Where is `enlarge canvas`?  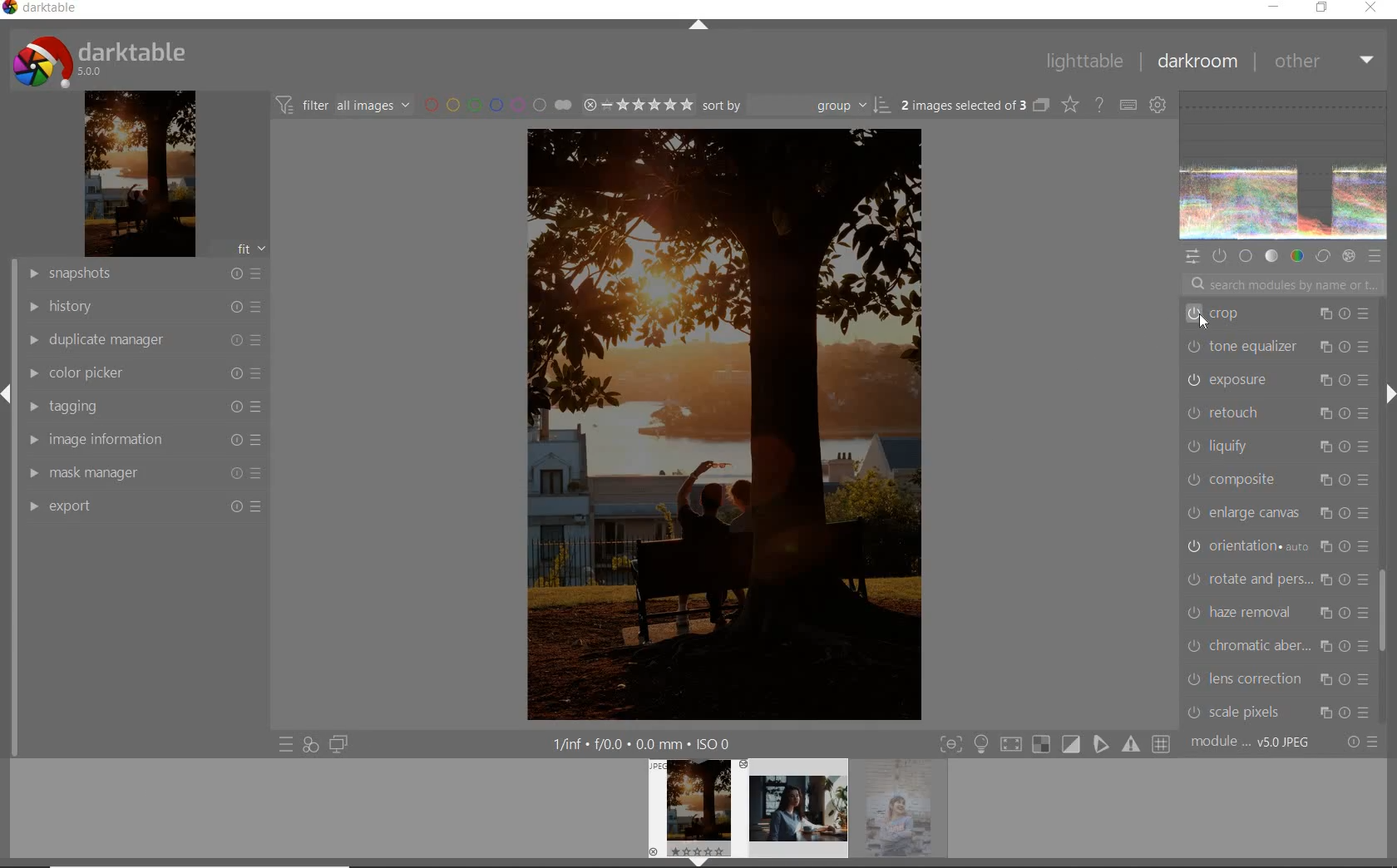
enlarge canvas is located at coordinates (1278, 514).